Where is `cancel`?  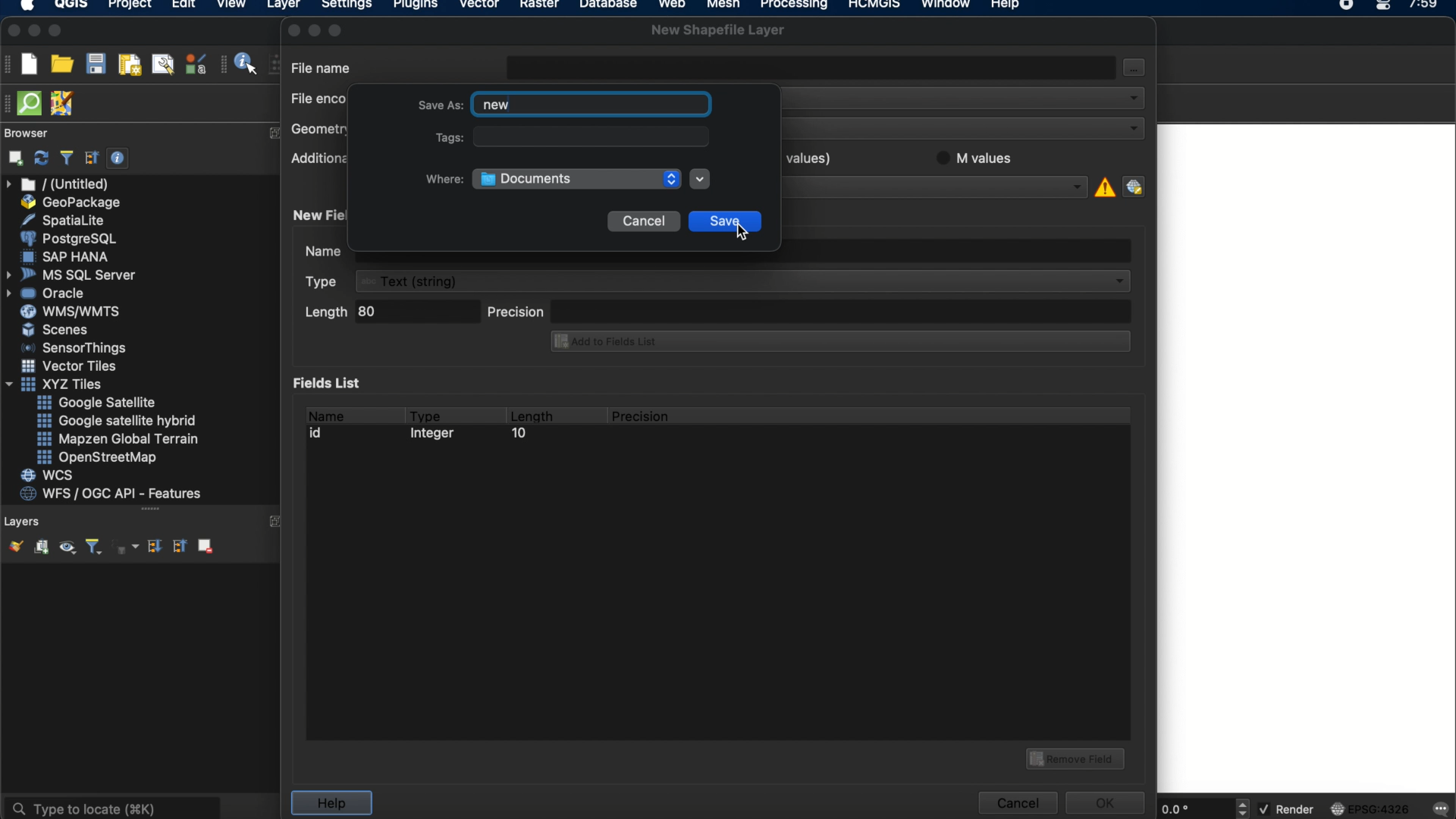 cancel is located at coordinates (1016, 803).